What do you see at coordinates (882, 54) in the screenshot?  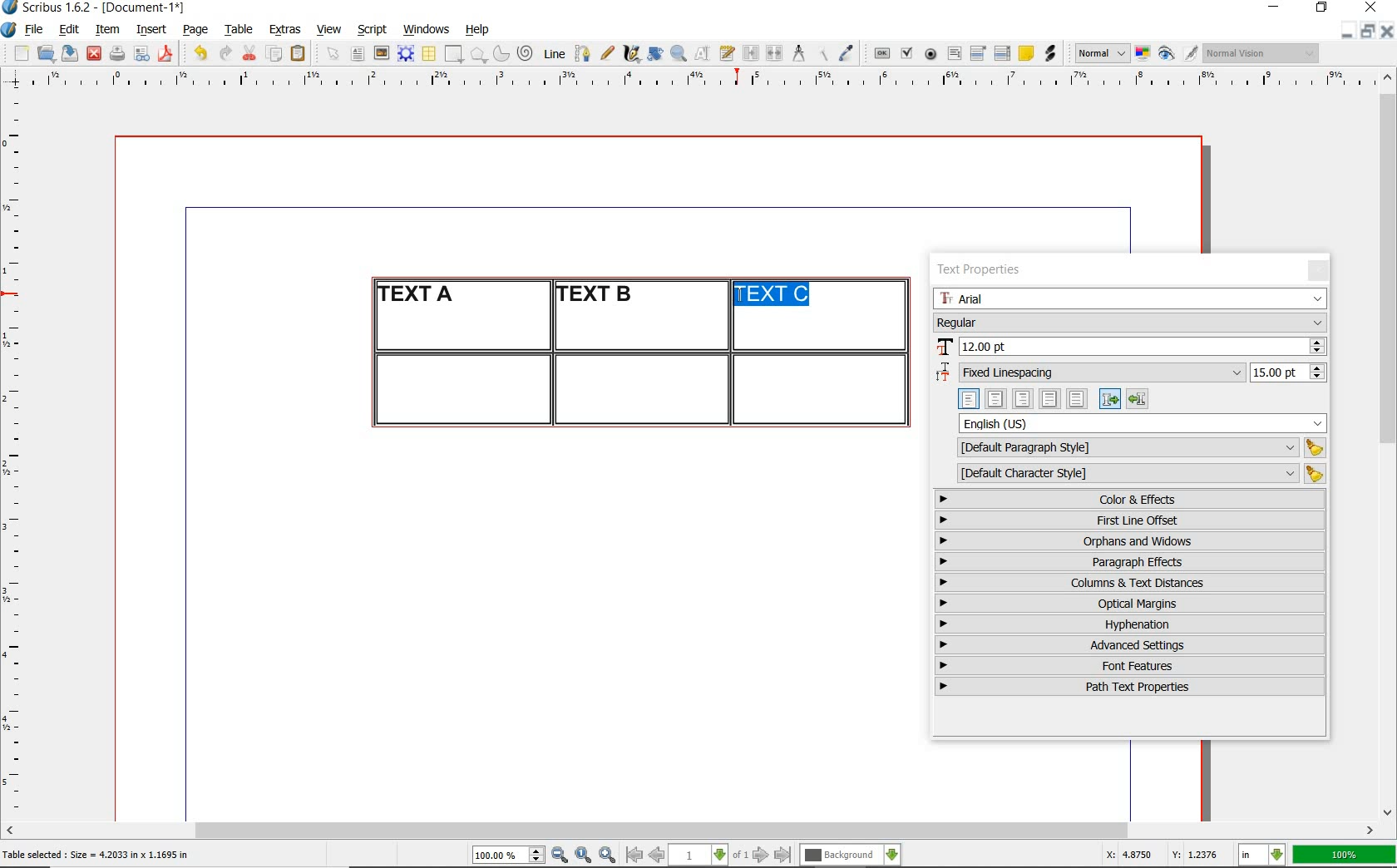 I see `pdf push button` at bounding box center [882, 54].